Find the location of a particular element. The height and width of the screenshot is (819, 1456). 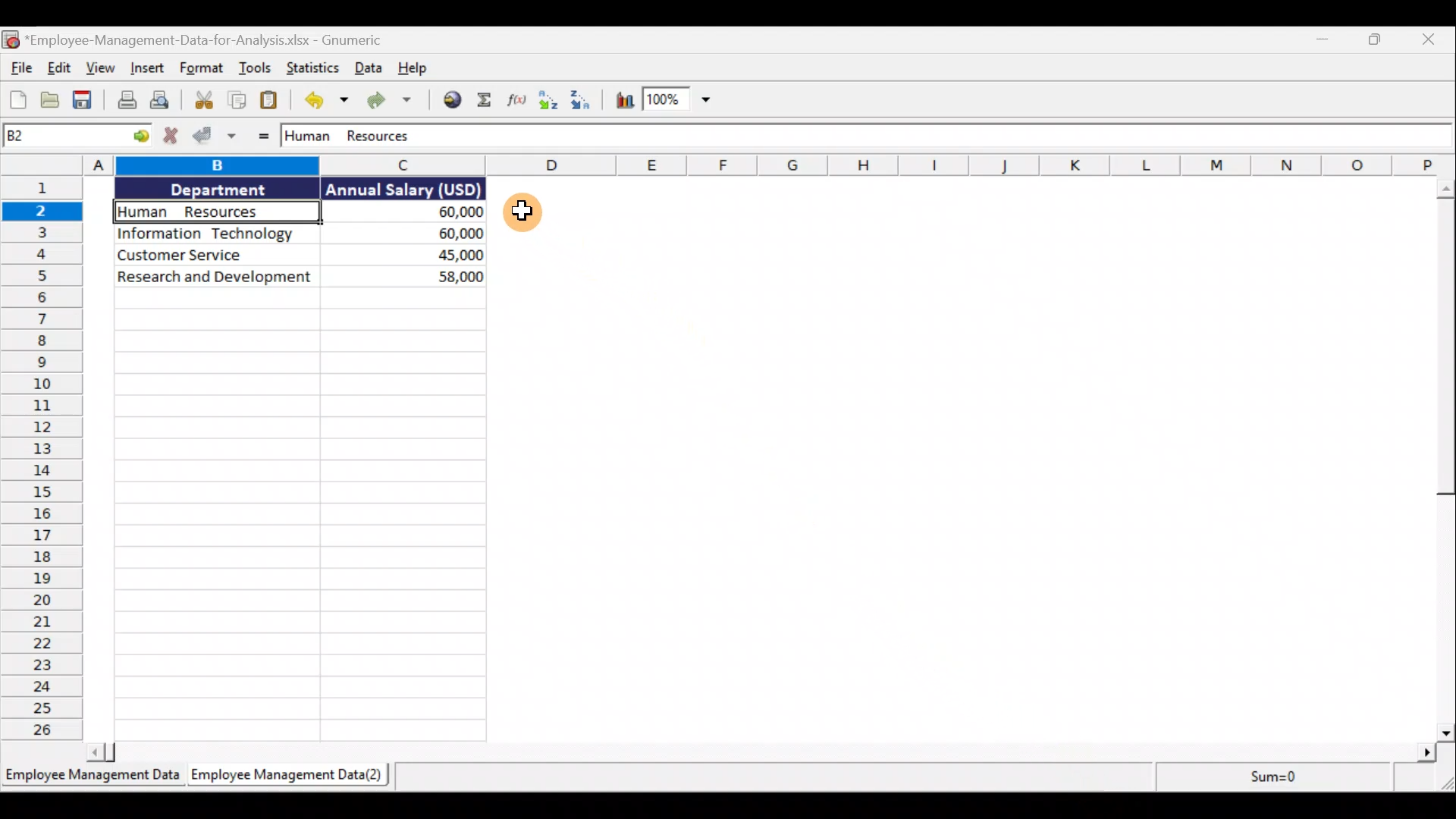

Document name is located at coordinates (219, 37).